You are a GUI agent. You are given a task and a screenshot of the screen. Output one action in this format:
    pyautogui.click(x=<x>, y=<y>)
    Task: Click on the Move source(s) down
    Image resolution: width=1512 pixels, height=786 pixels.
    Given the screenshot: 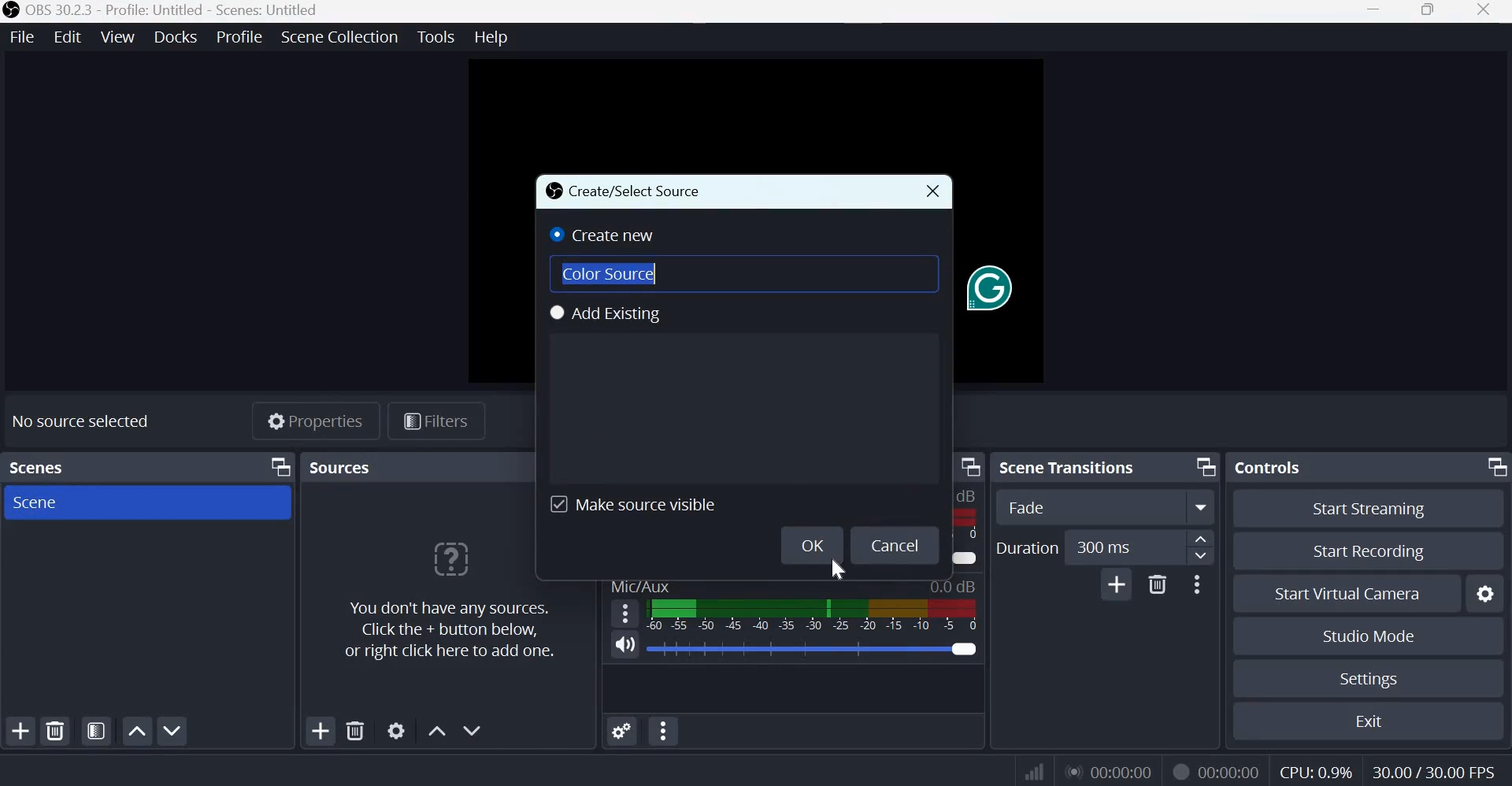 What is the action you would take?
    pyautogui.click(x=474, y=729)
    